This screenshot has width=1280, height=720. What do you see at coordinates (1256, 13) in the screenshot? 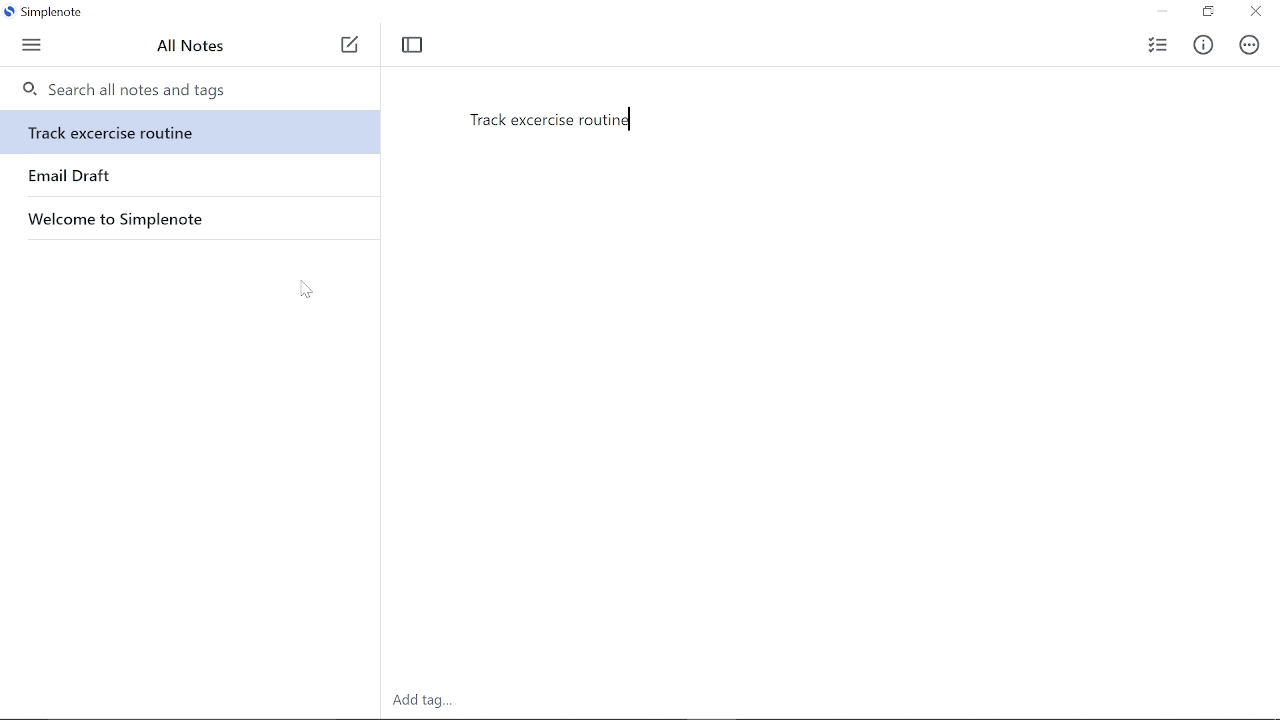
I see `Close` at bounding box center [1256, 13].